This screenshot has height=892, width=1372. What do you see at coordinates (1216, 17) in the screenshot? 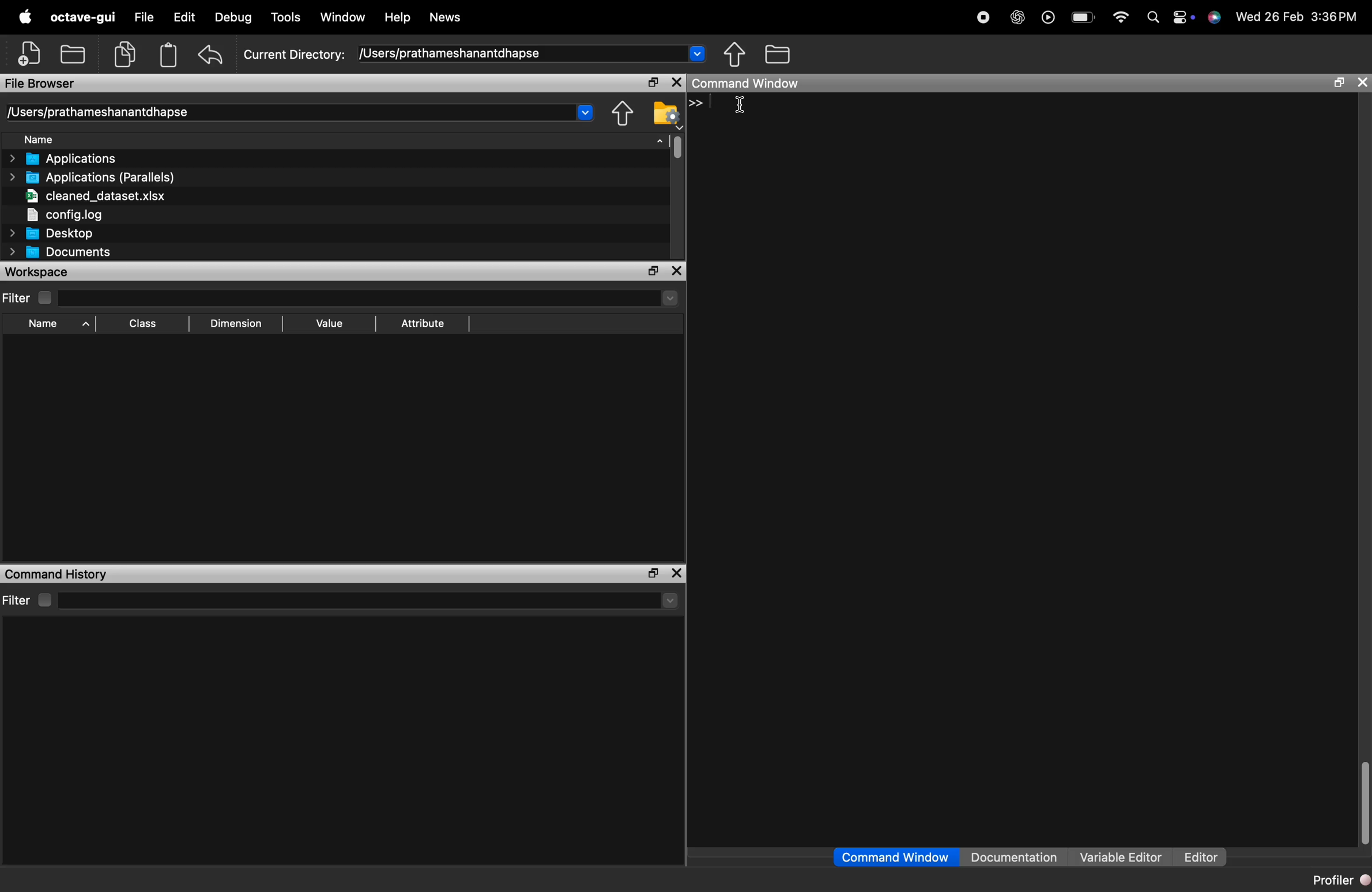
I see `Siri` at bounding box center [1216, 17].